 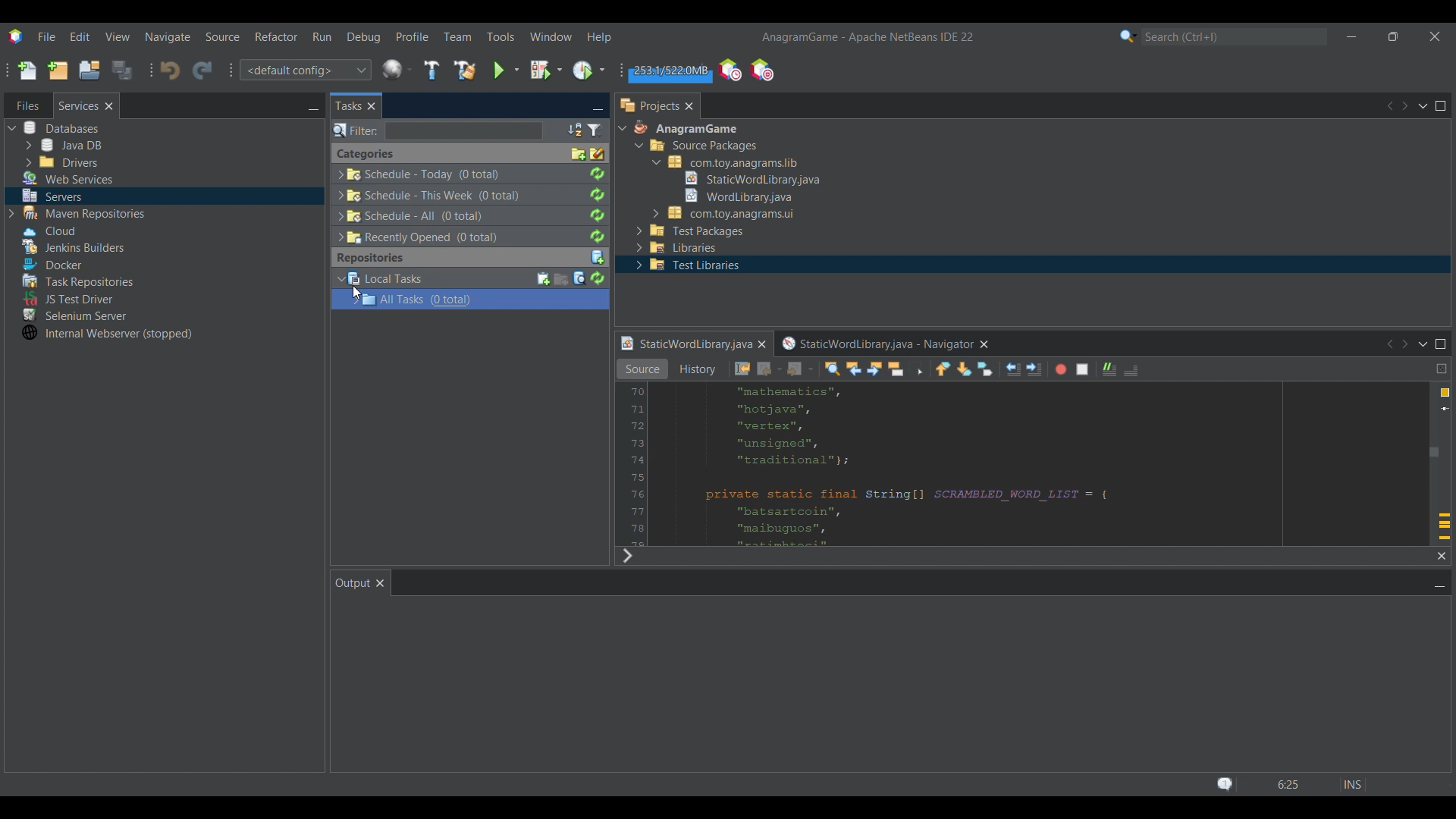 What do you see at coordinates (1288, 784) in the screenshot?
I see `Status bar details` at bounding box center [1288, 784].